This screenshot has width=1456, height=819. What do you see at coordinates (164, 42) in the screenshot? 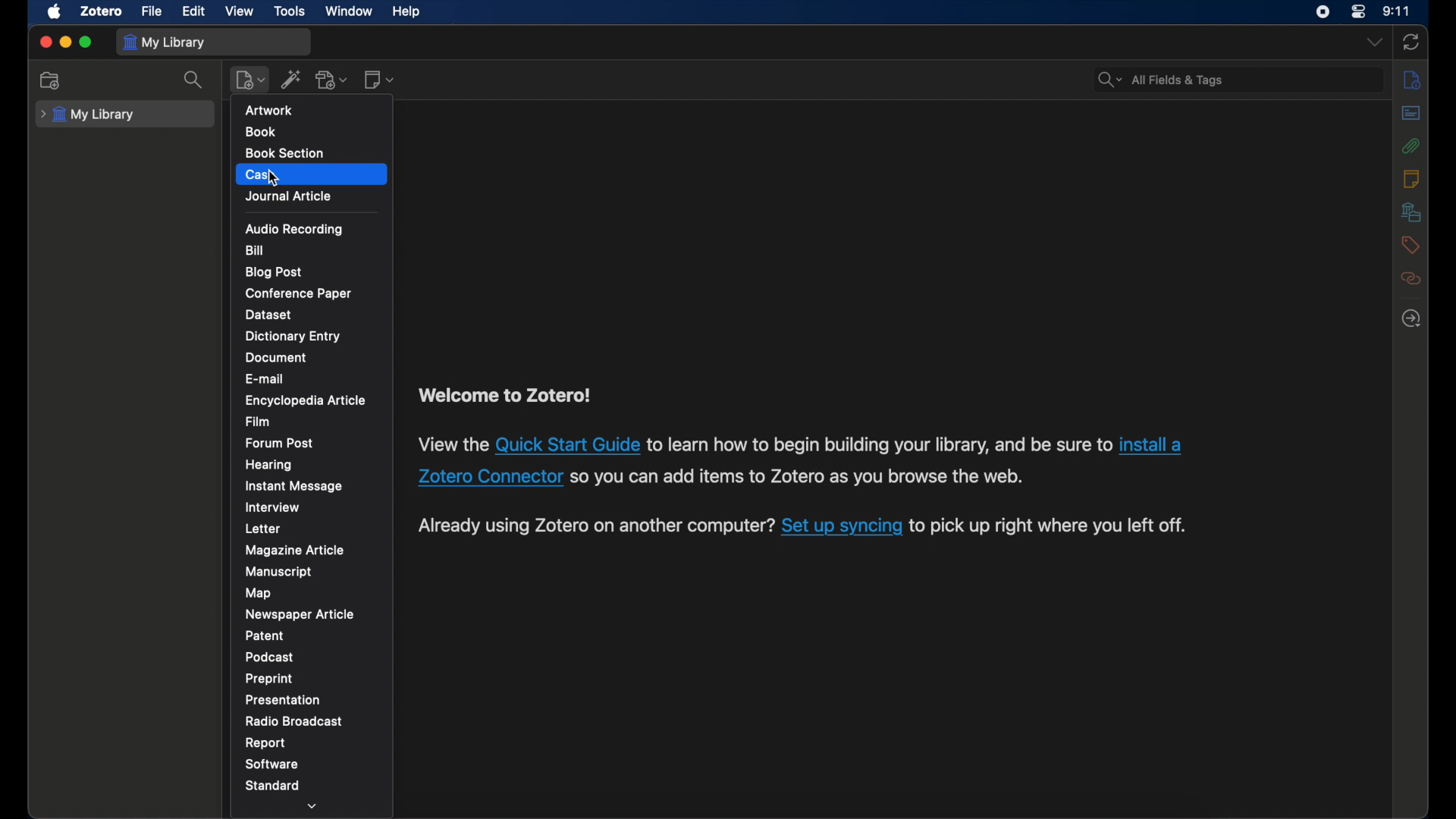
I see `my library` at bounding box center [164, 42].